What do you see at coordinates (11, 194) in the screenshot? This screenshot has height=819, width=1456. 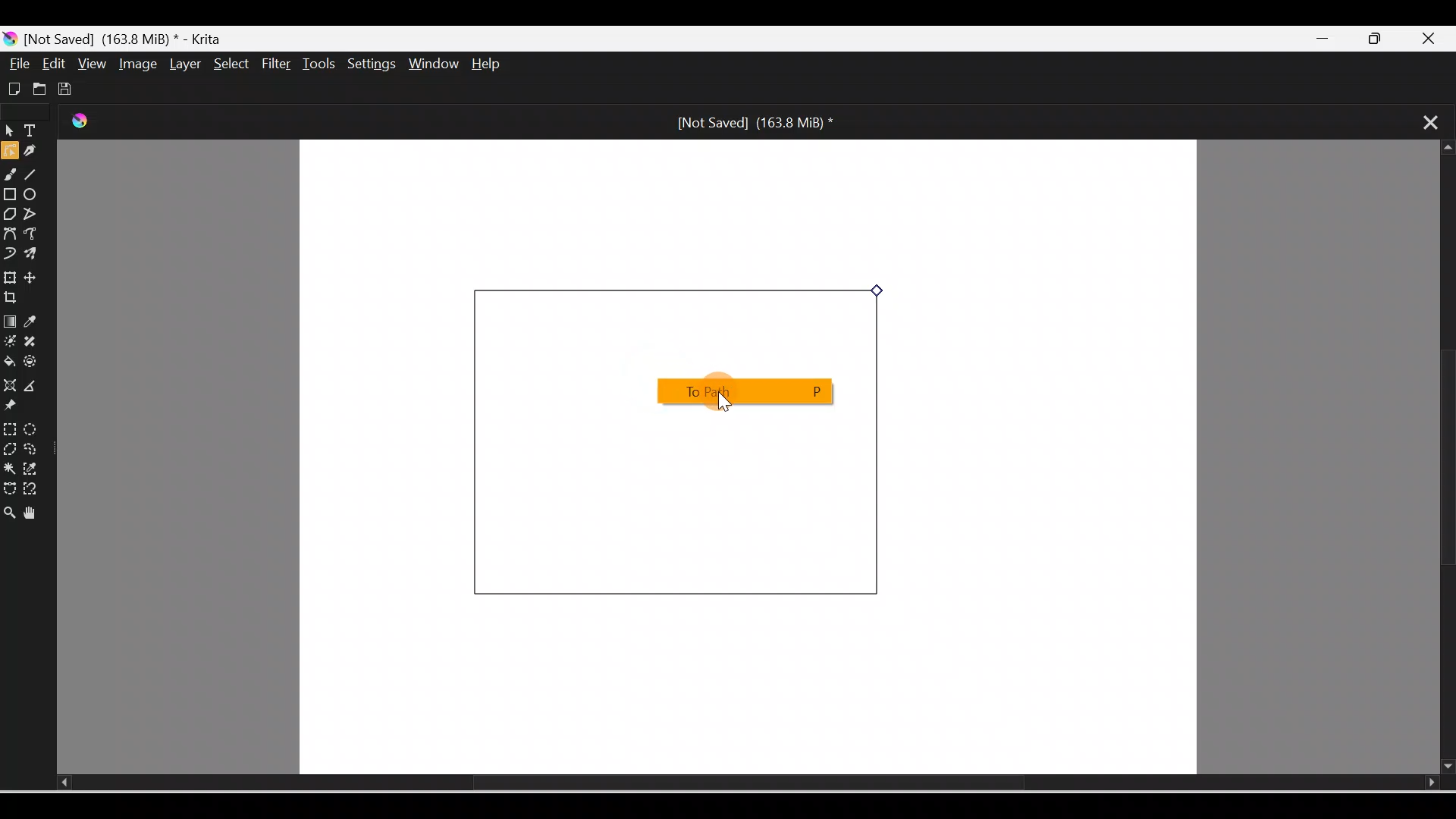 I see `Rectangle` at bounding box center [11, 194].